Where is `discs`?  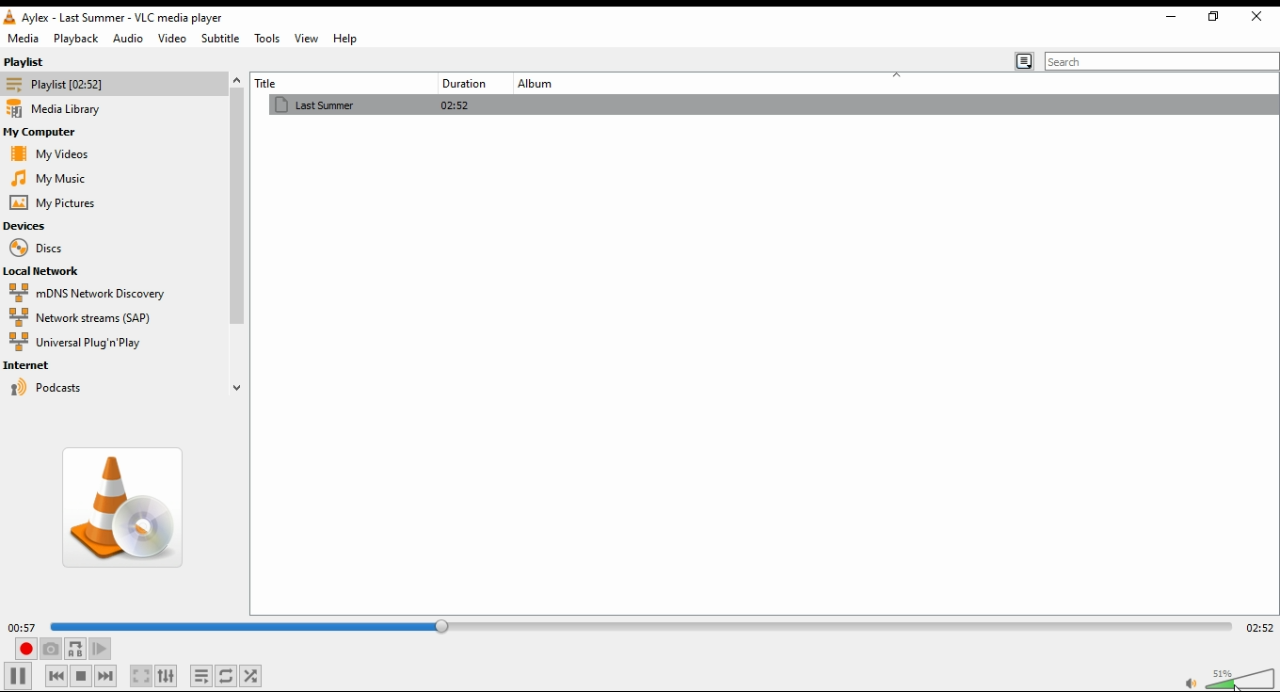 discs is located at coordinates (34, 248).